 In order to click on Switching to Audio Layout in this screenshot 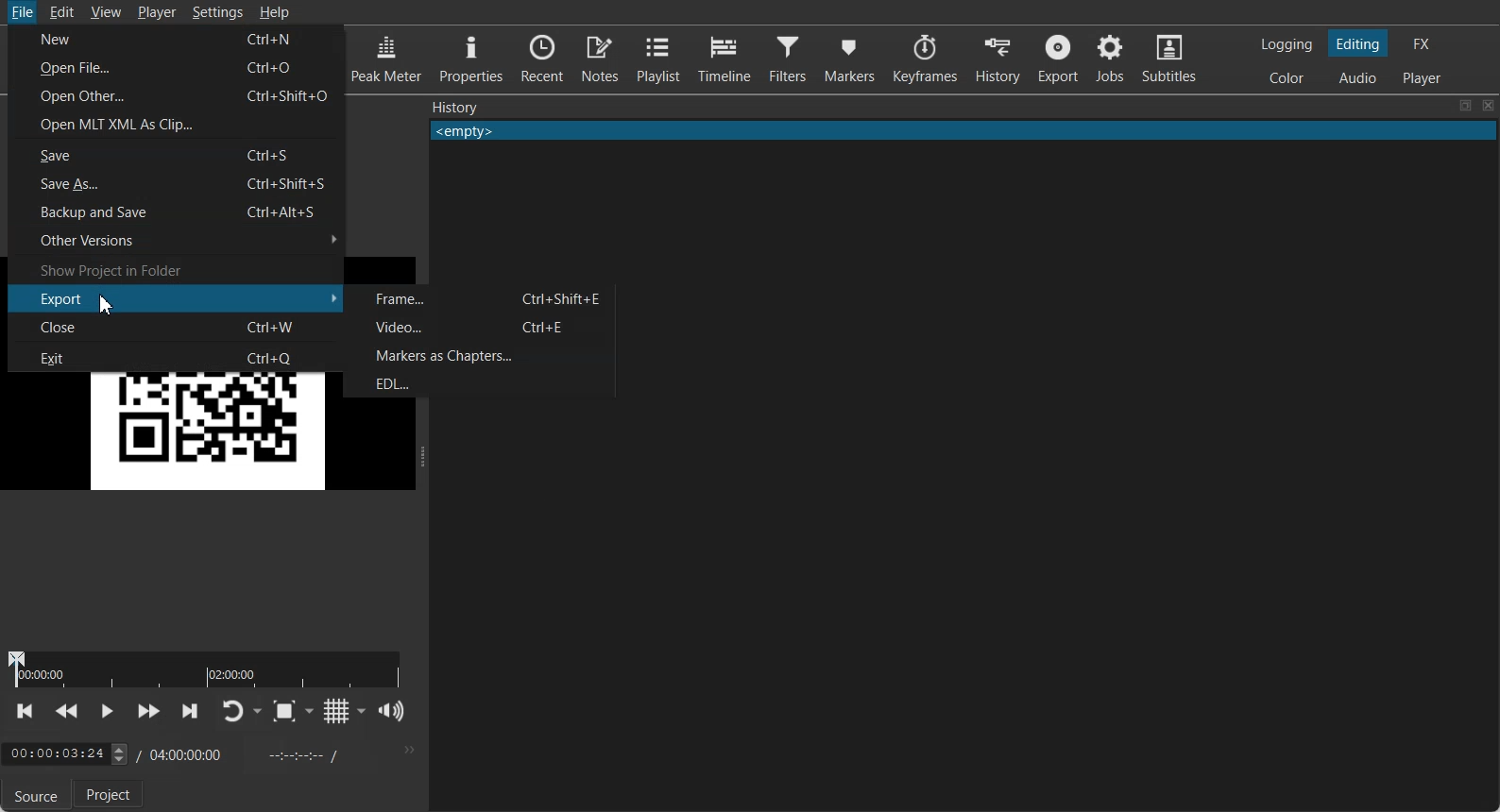, I will do `click(1358, 76)`.